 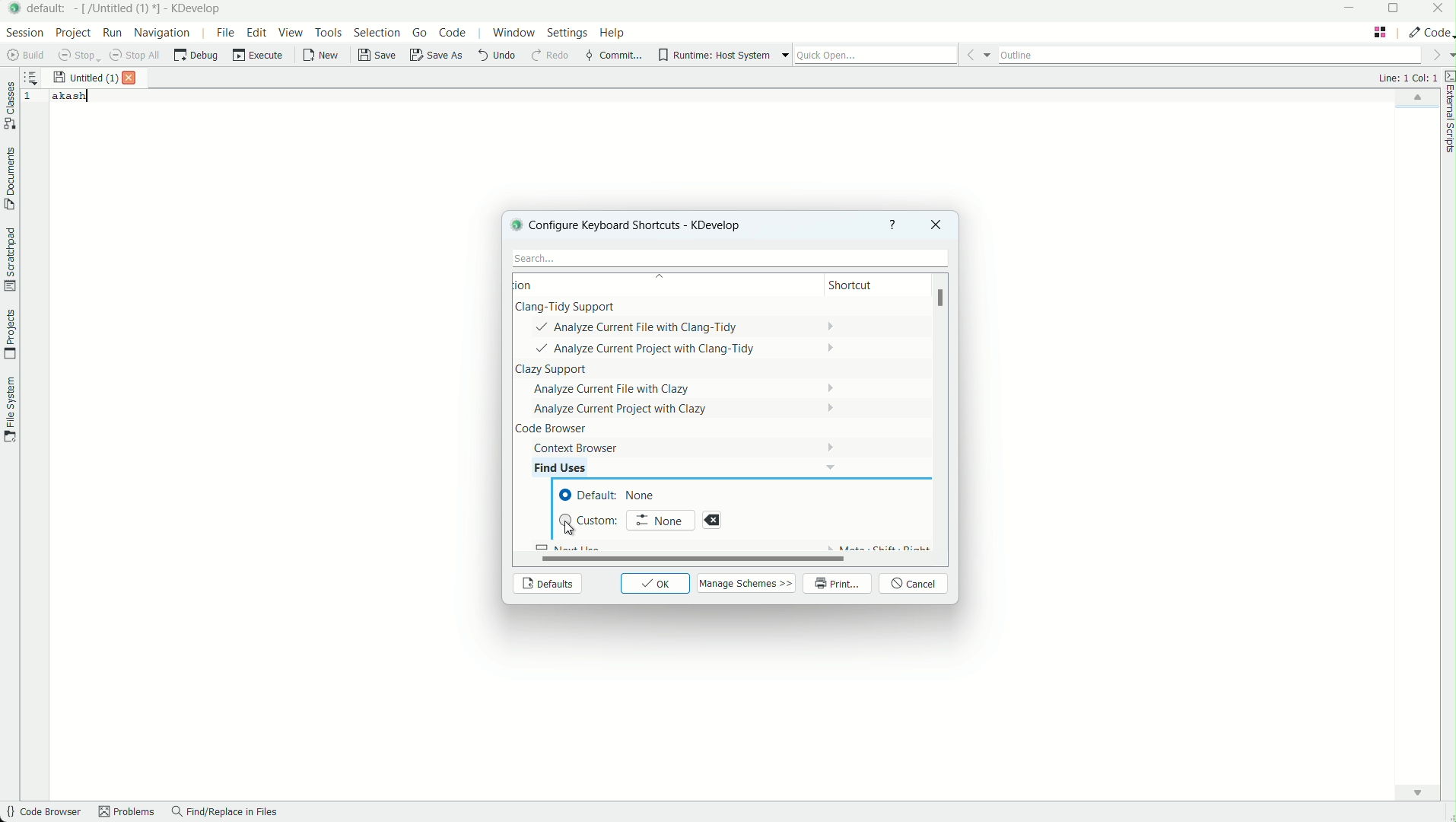 What do you see at coordinates (9, 407) in the screenshot?
I see `file system` at bounding box center [9, 407].